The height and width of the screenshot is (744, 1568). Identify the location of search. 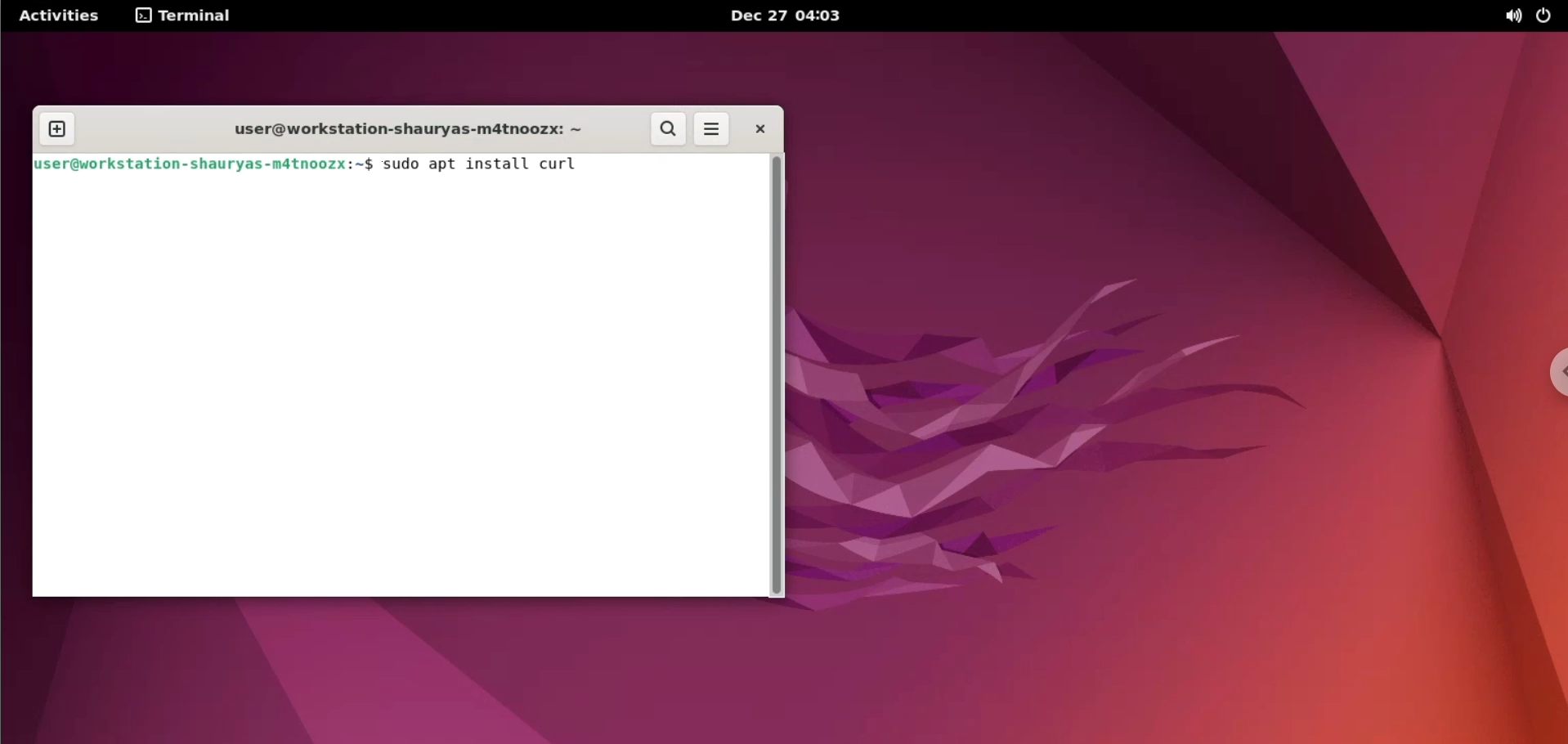
(669, 130).